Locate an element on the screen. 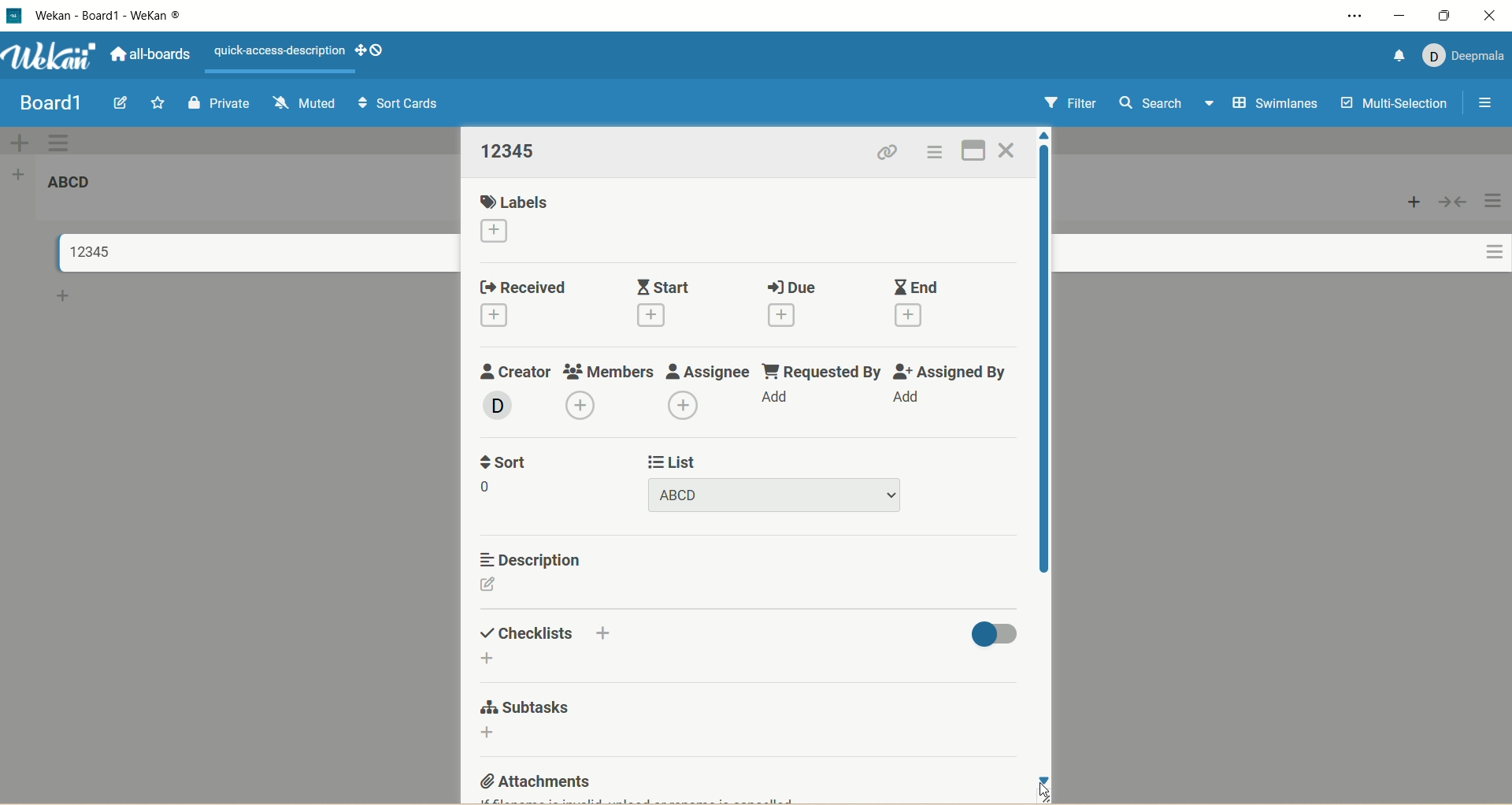 The height and width of the screenshot is (805, 1512). open/close sidebar is located at coordinates (1483, 104).